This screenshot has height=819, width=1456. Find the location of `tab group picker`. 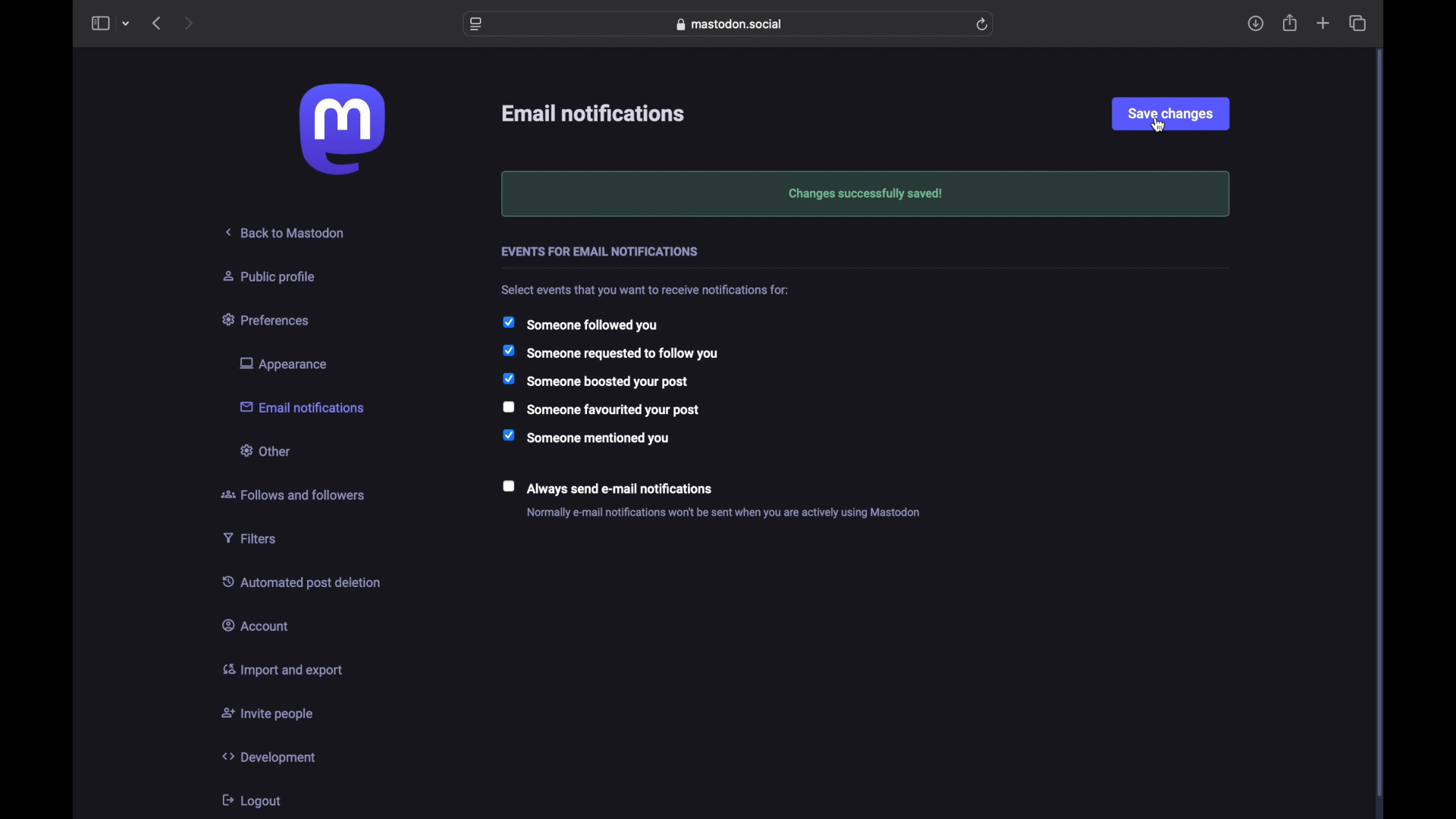

tab group picker is located at coordinates (126, 24).